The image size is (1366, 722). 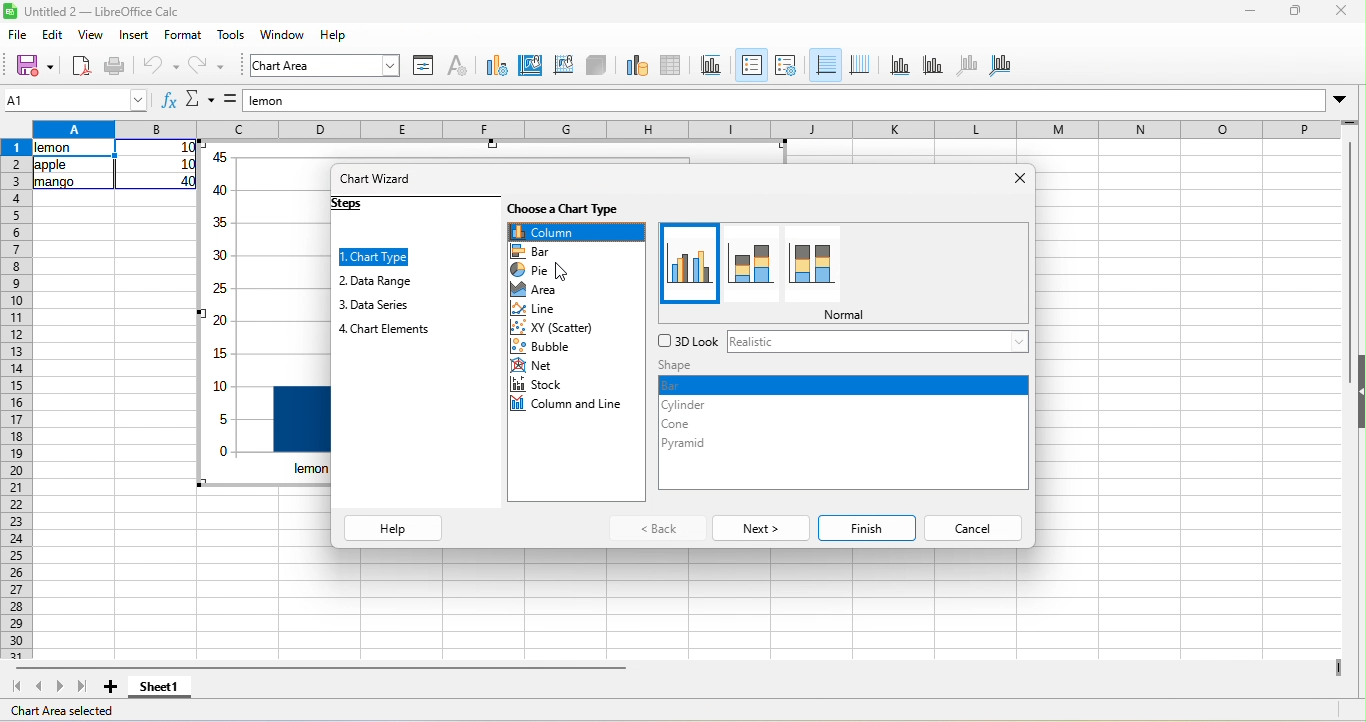 What do you see at coordinates (688, 340) in the screenshot?
I see `3d lock` at bounding box center [688, 340].